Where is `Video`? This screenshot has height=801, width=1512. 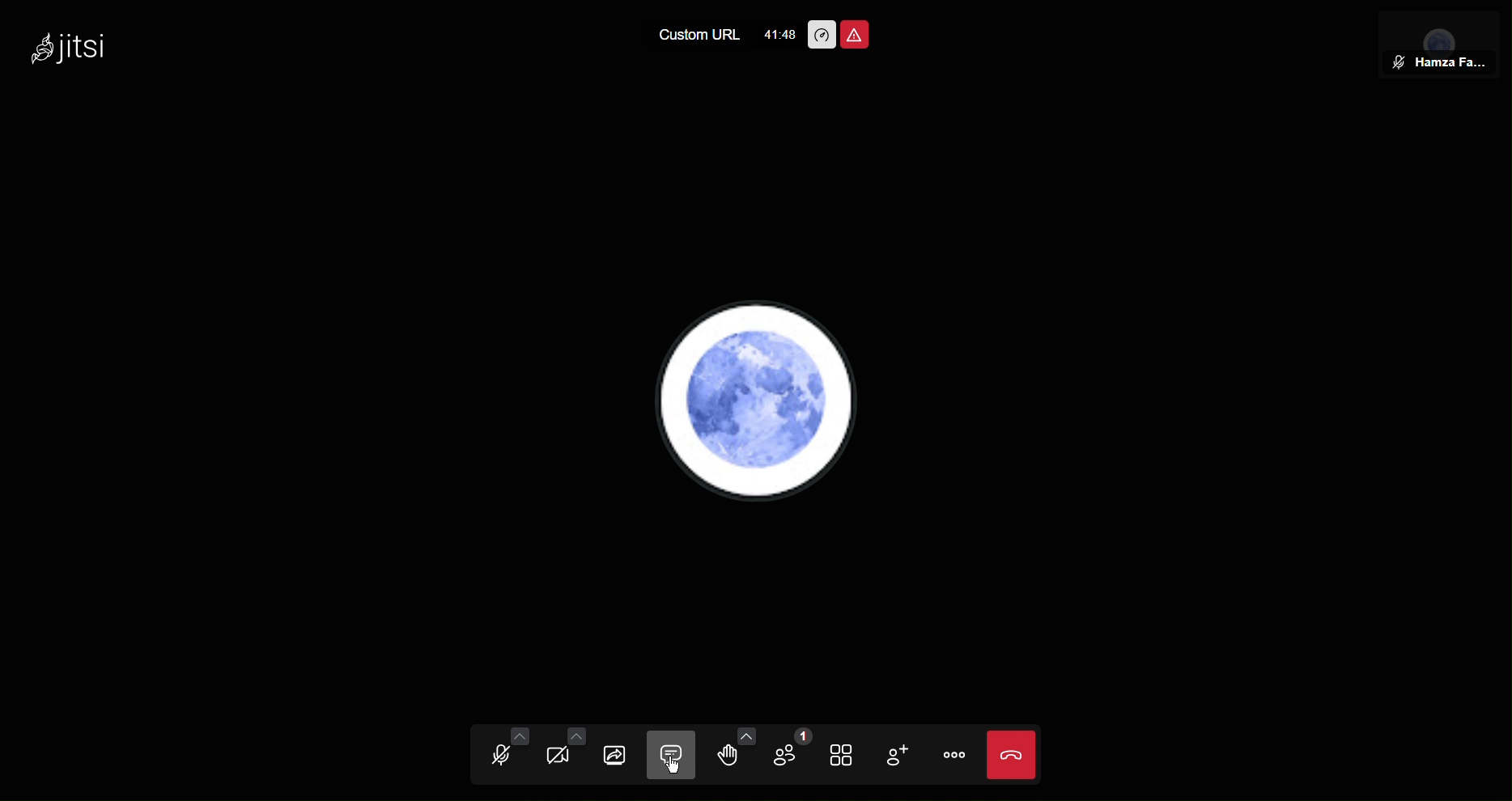 Video is located at coordinates (563, 753).